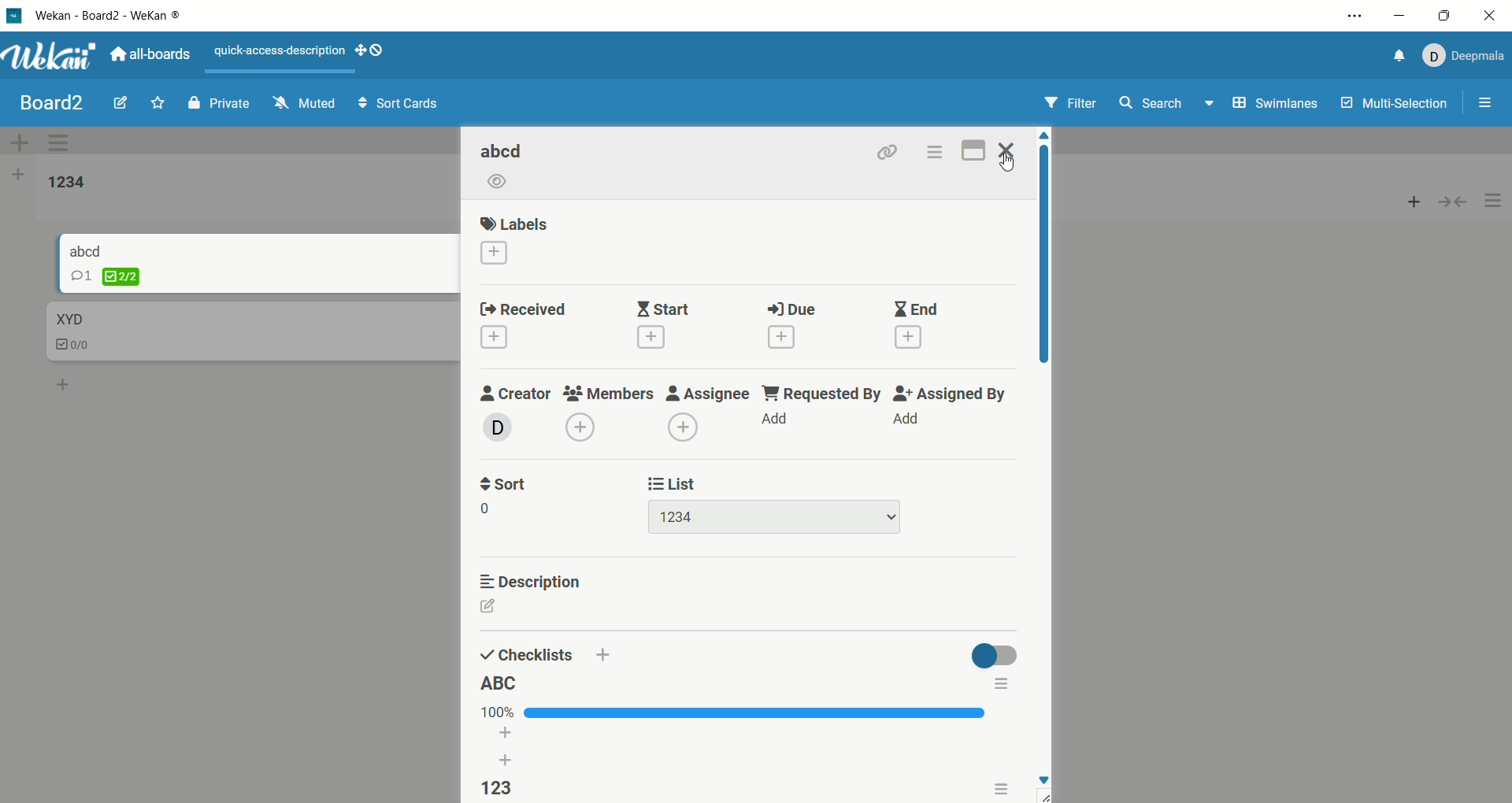  Describe the element at coordinates (522, 314) in the screenshot. I see `received` at that location.